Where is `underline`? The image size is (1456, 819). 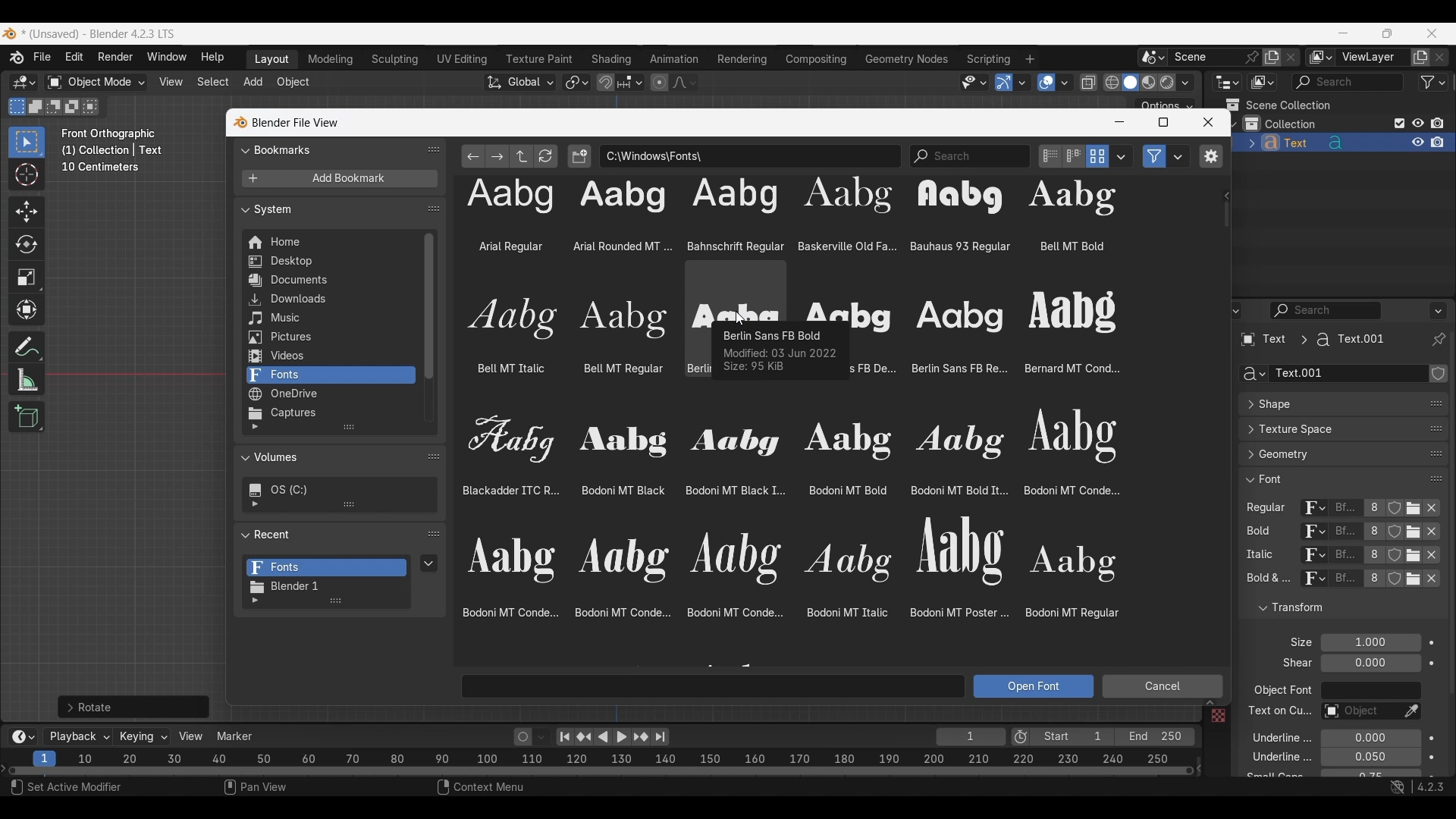
underline is located at coordinates (1269, 759).